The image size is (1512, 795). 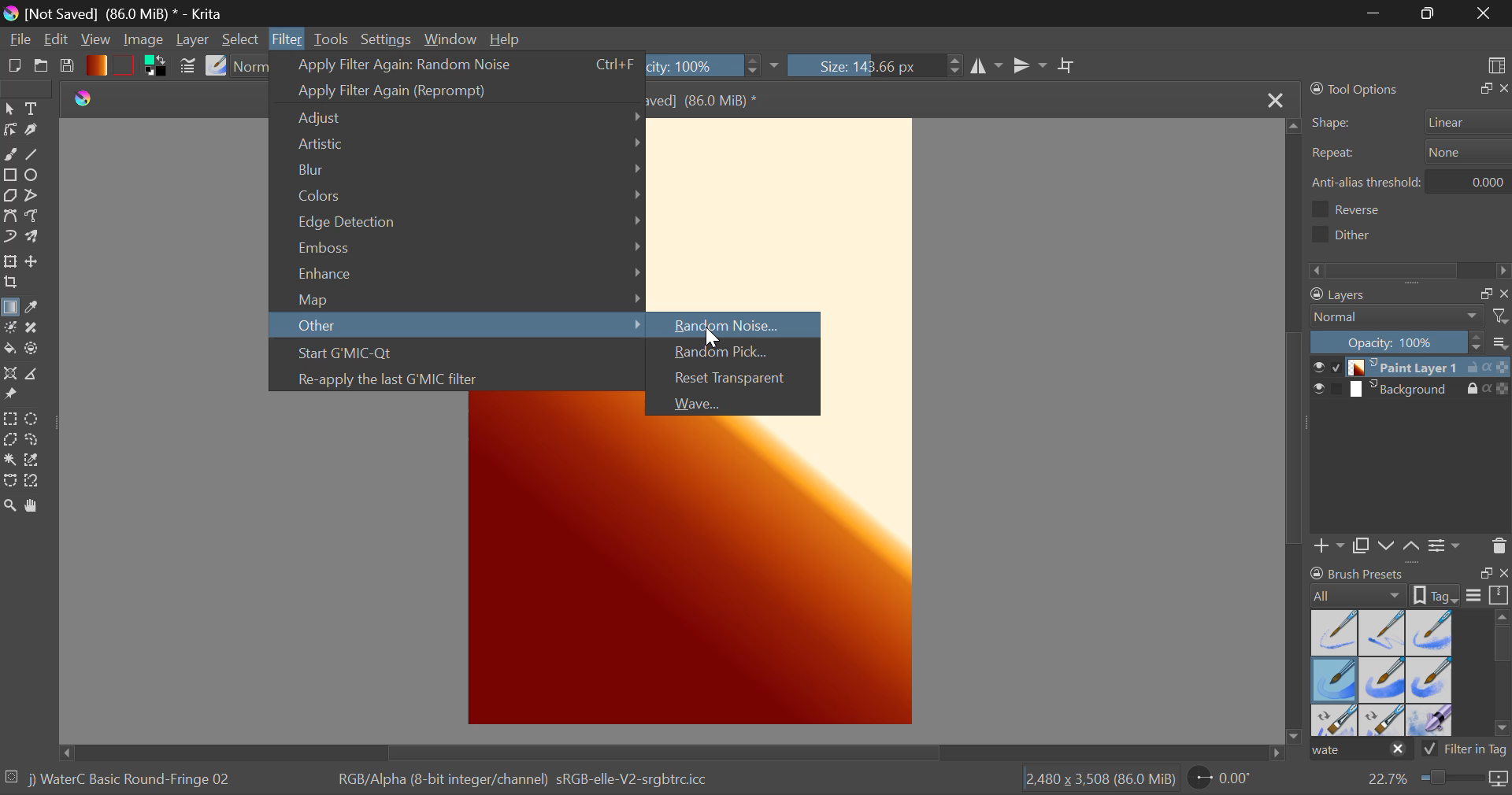 What do you see at coordinates (9, 462) in the screenshot?
I see `Continuous Selection` at bounding box center [9, 462].